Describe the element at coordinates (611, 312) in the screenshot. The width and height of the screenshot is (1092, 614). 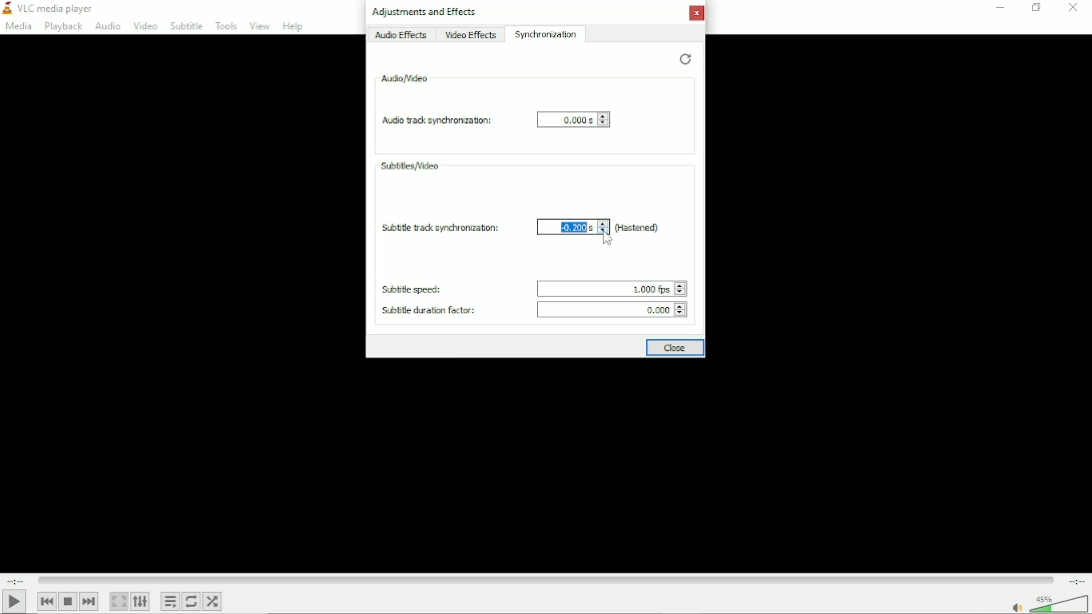
I see `0.000` at that location.